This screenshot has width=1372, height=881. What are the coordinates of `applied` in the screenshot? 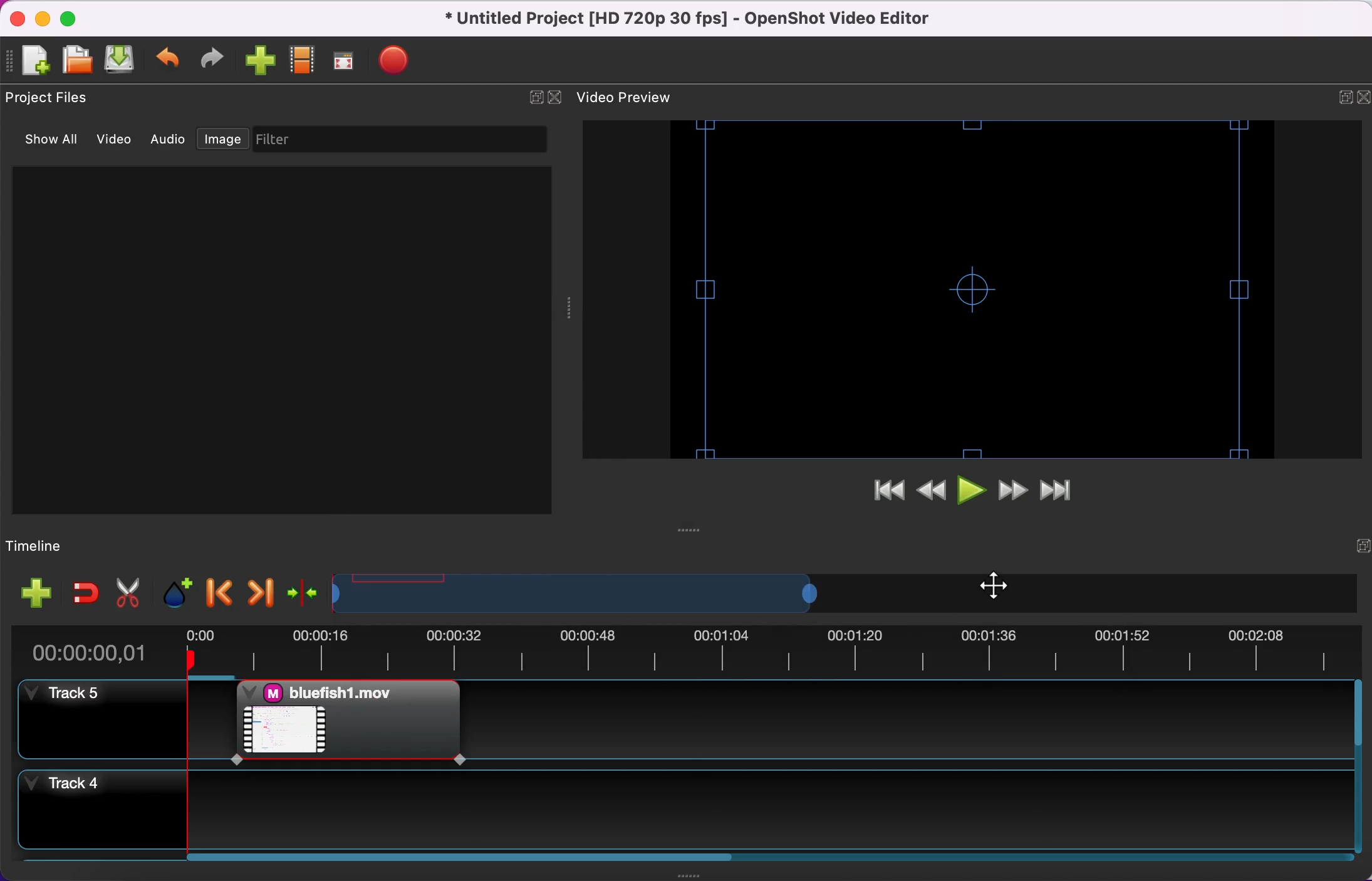 It's located at (776, 722).